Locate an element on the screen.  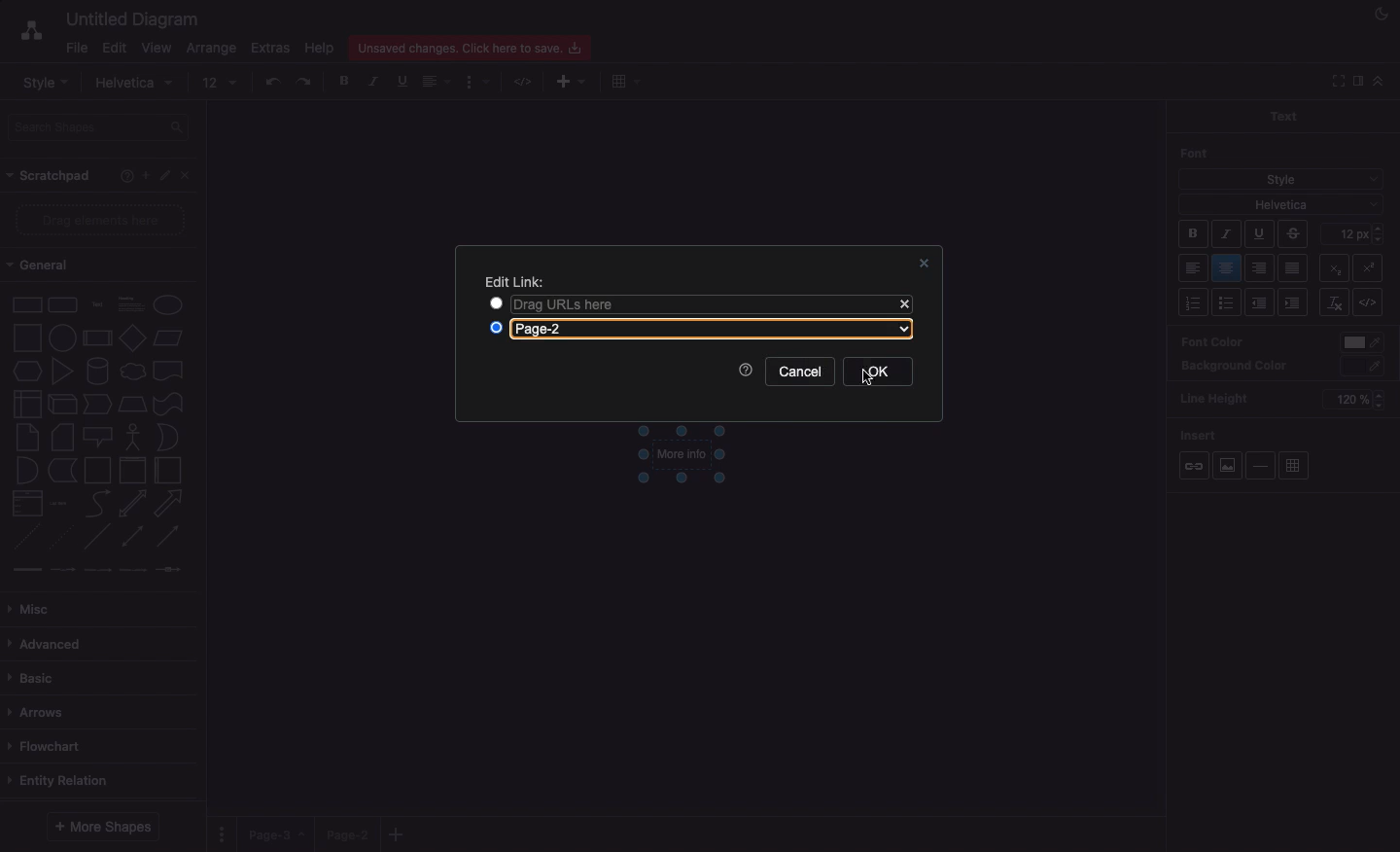
Extras is located at coordinates (271, 48).